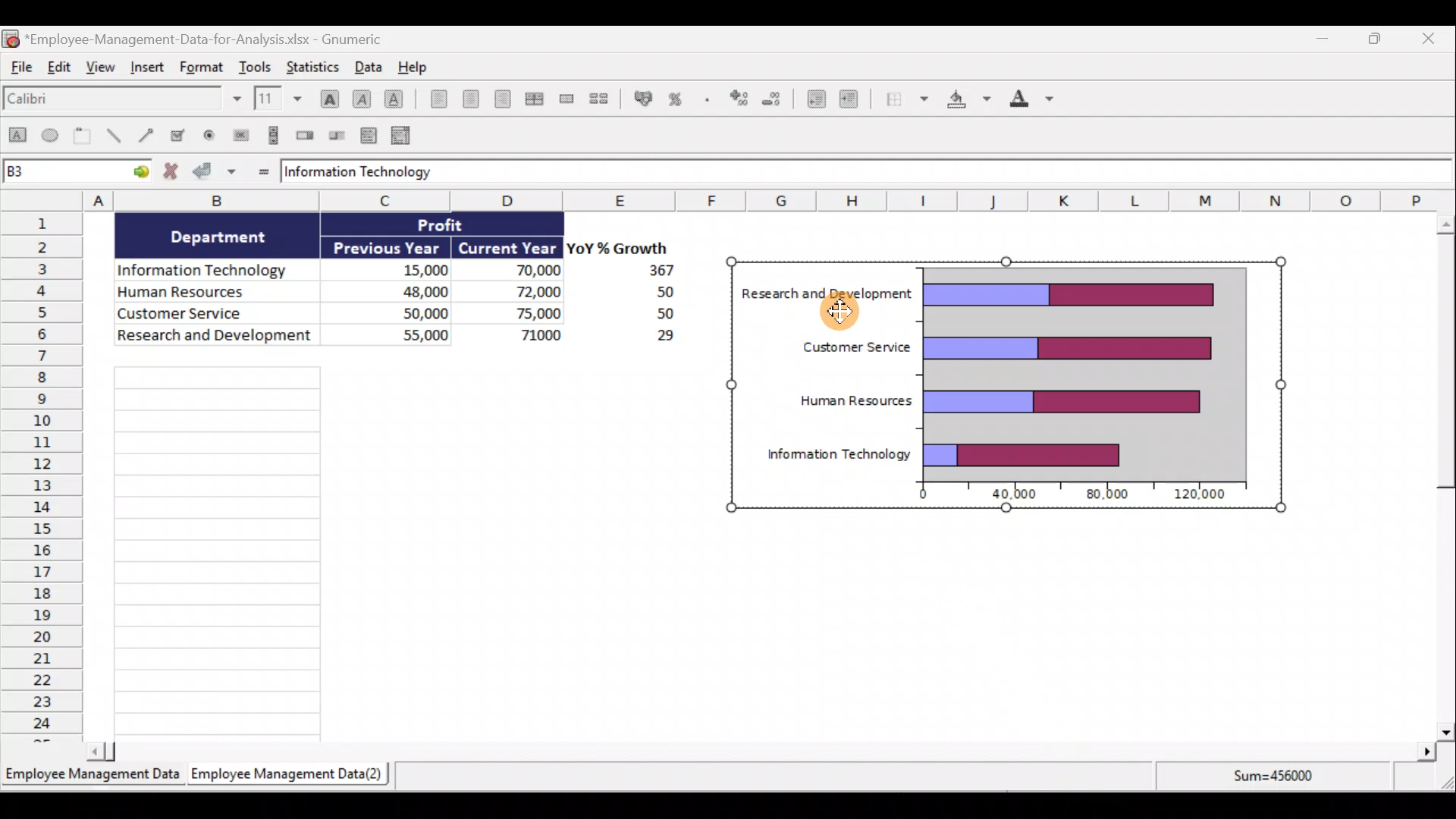  I want to click on Decrease indent and align contents to the left, so click(813, 98).